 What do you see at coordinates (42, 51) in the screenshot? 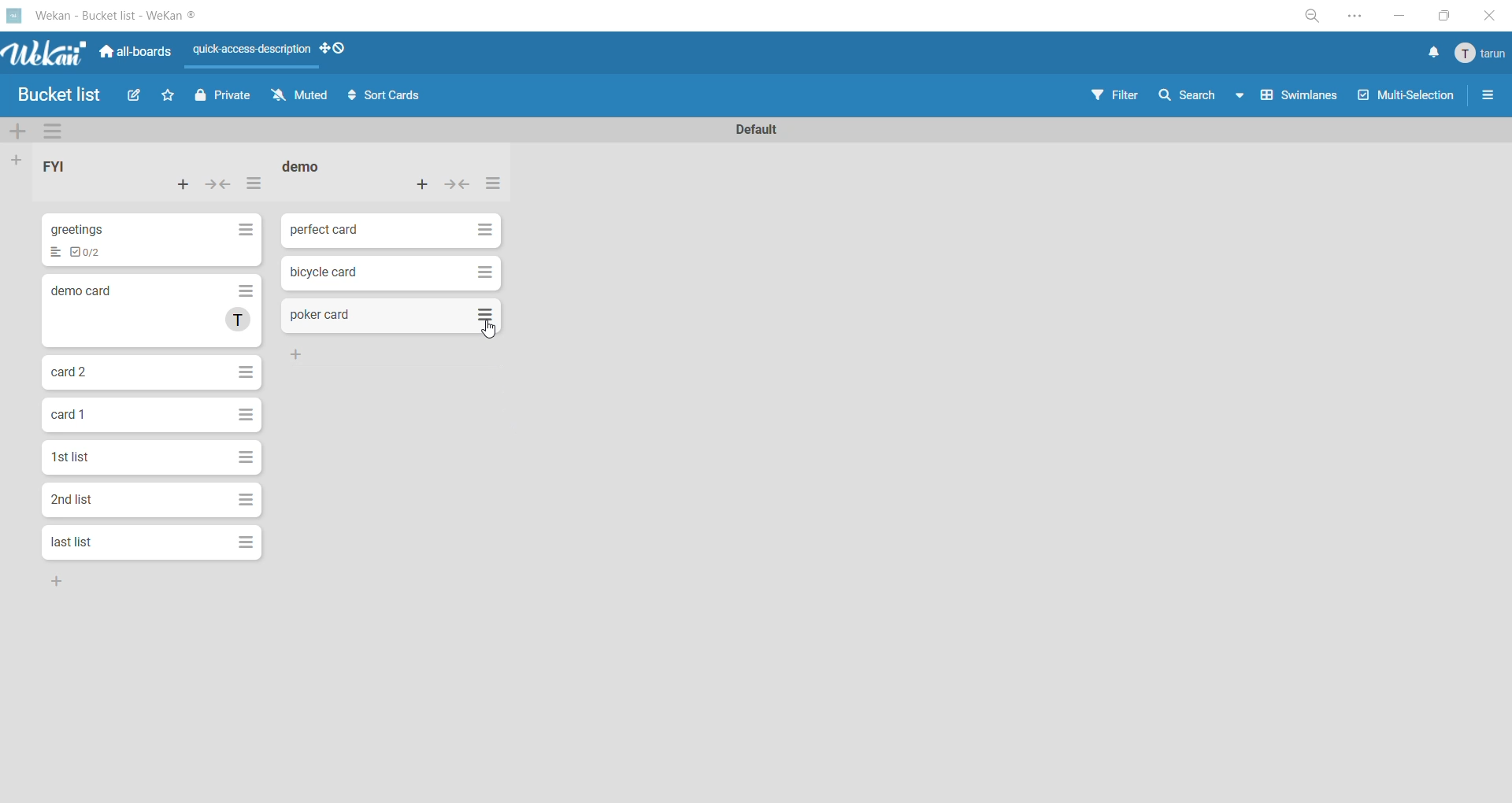
I see `Wekan` at bounding box center [42, 51].